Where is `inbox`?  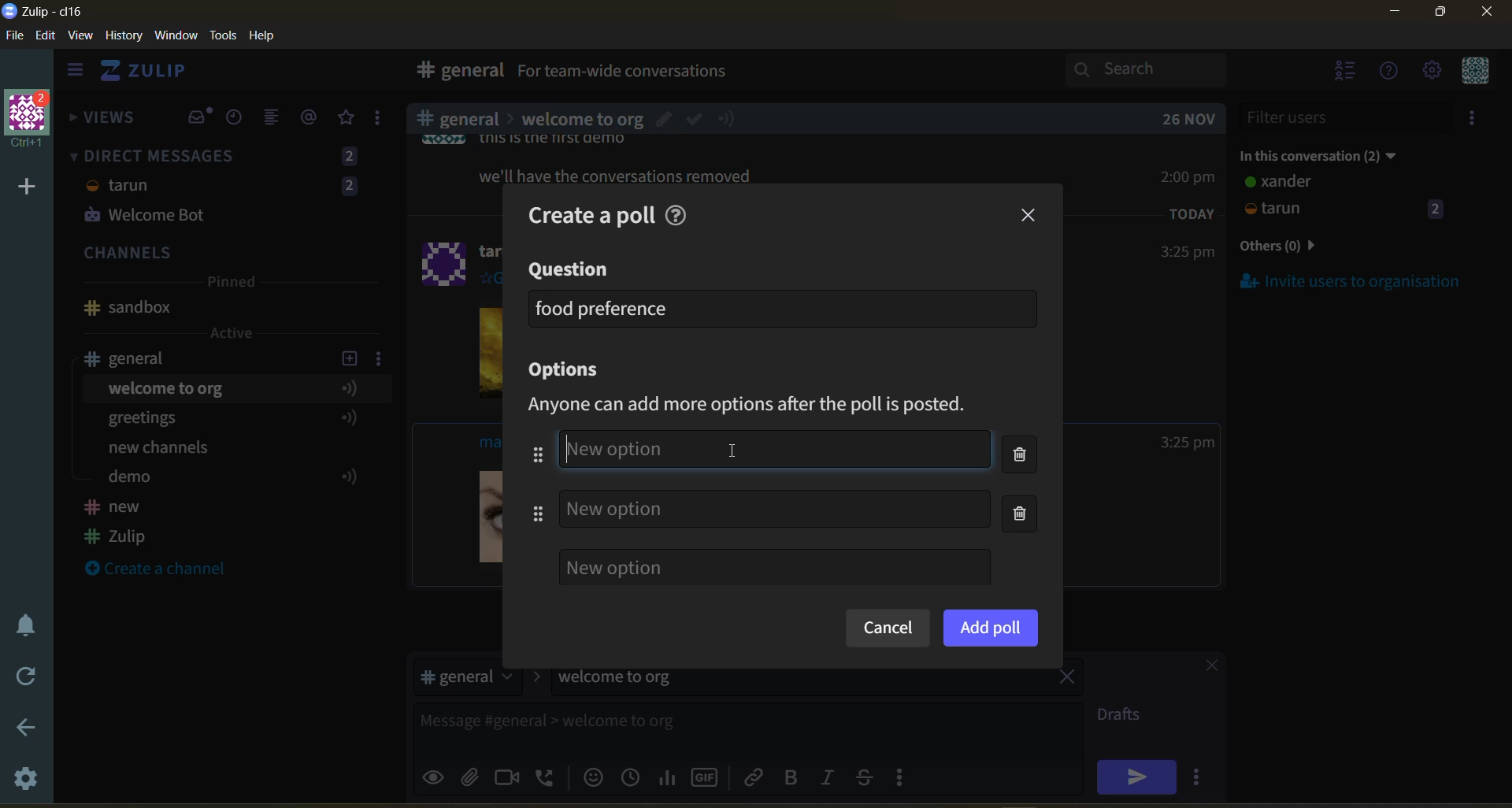 inbox is located at coordinates (456, 72).